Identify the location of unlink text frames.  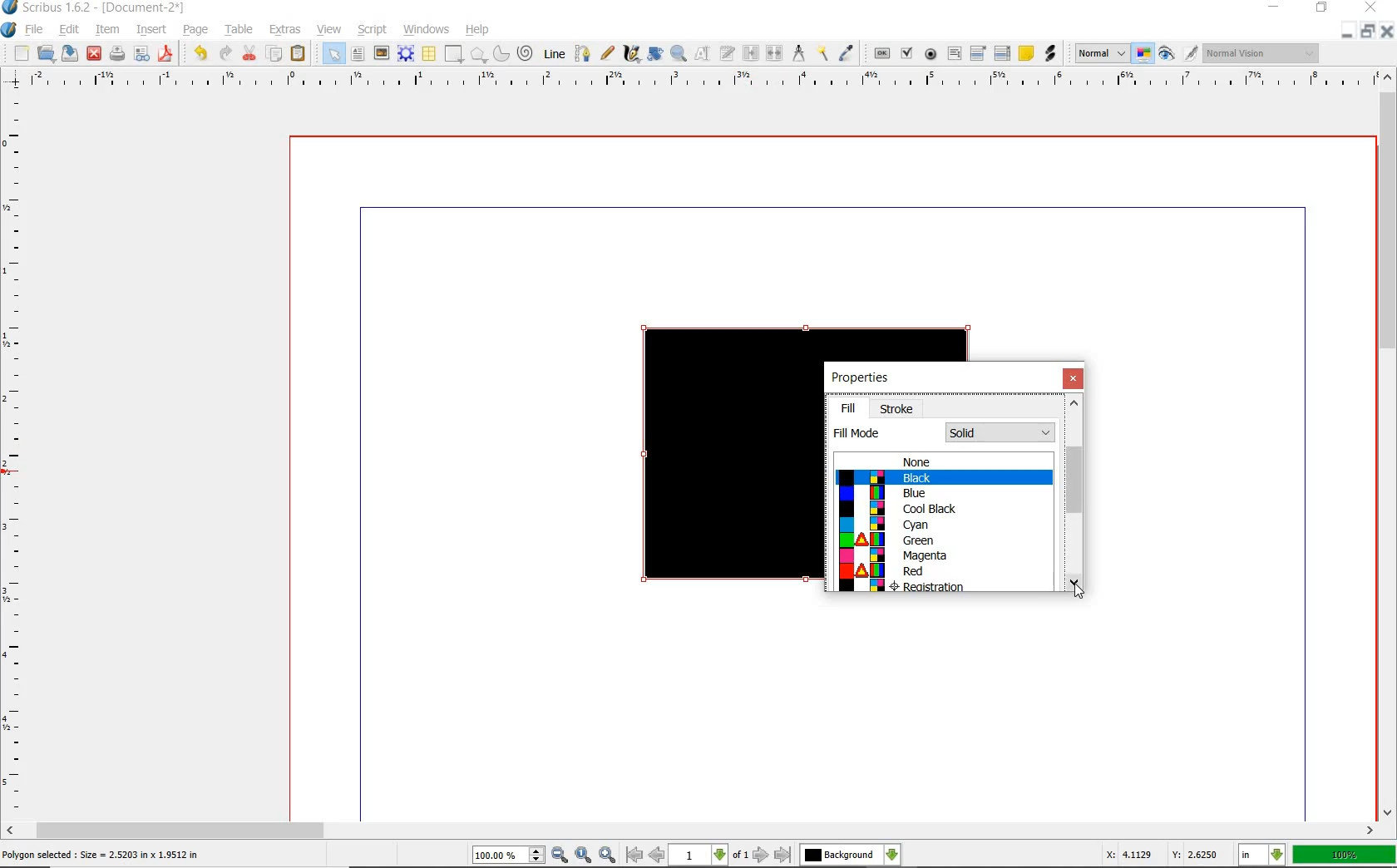
(775, 55).